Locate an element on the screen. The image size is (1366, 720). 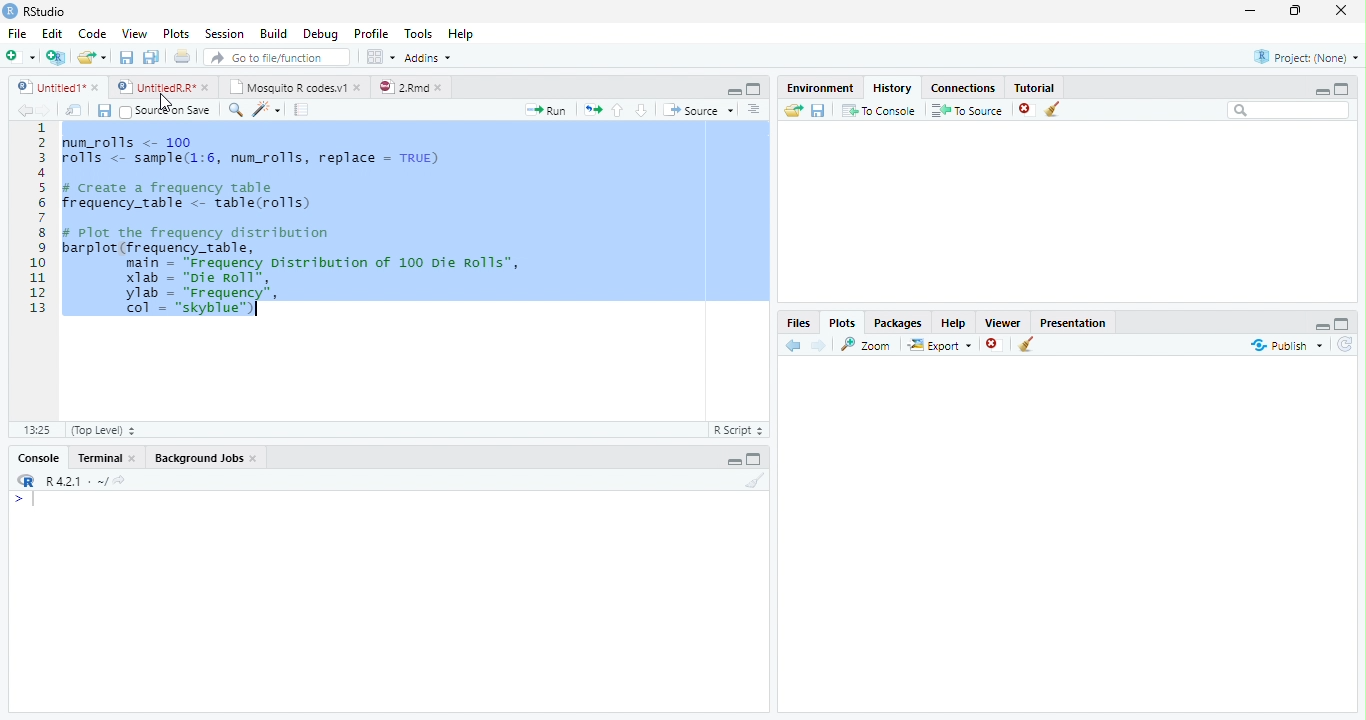
Open an existing file is located at coordinates (92, 57).